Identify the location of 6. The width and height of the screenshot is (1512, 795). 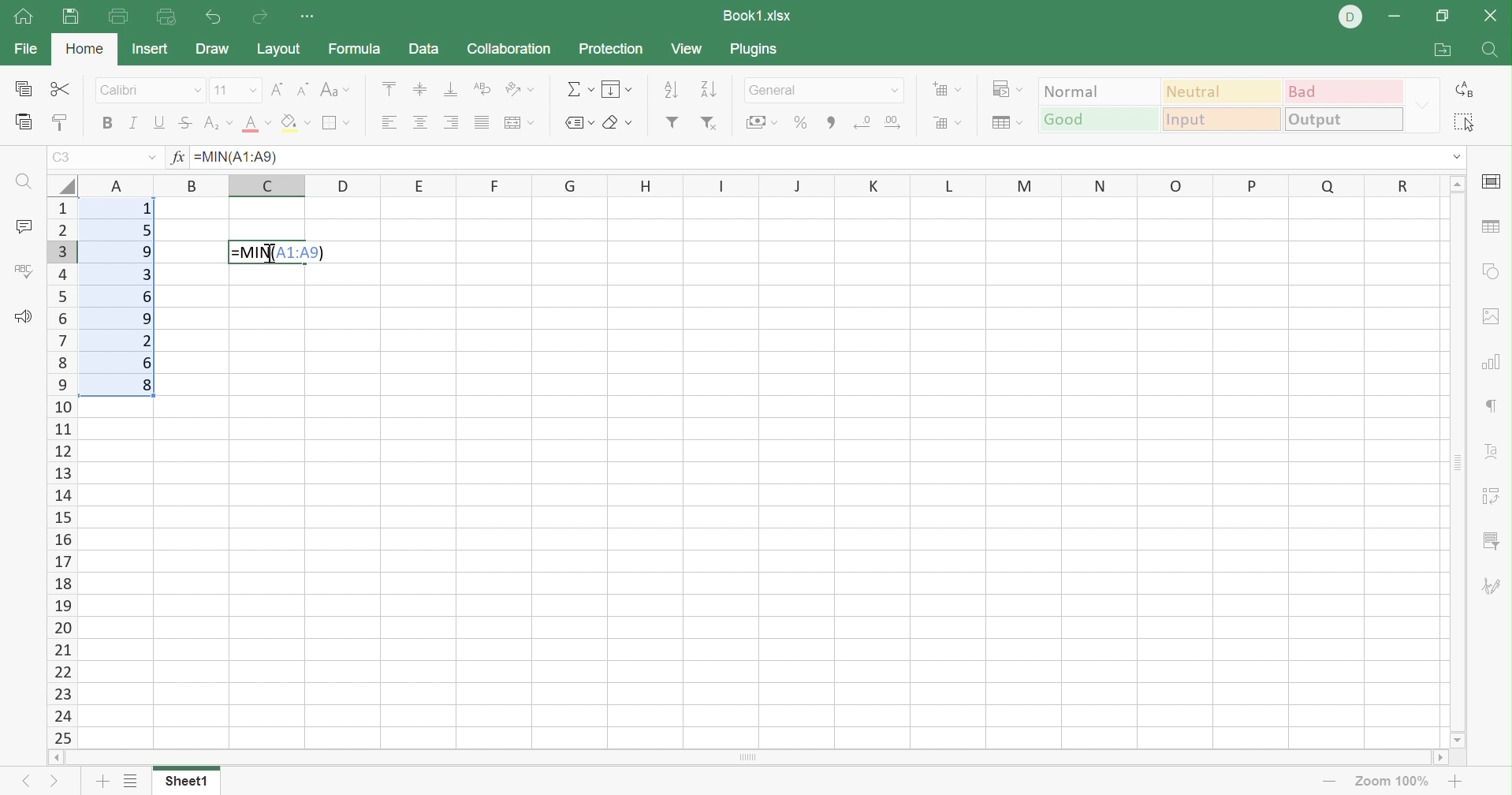
(151, 364).